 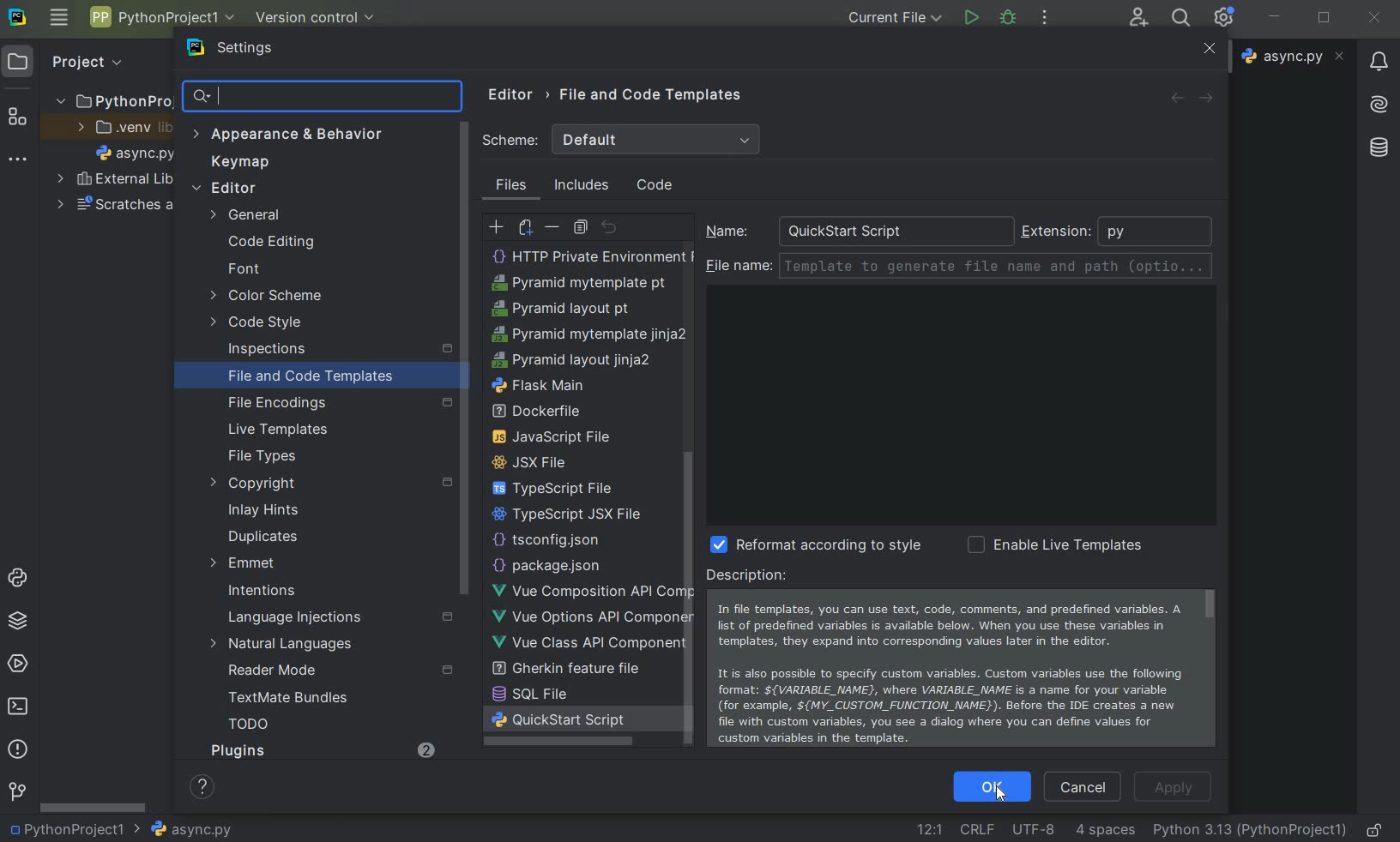 I want to click on OK, so click(x=990, y=785).